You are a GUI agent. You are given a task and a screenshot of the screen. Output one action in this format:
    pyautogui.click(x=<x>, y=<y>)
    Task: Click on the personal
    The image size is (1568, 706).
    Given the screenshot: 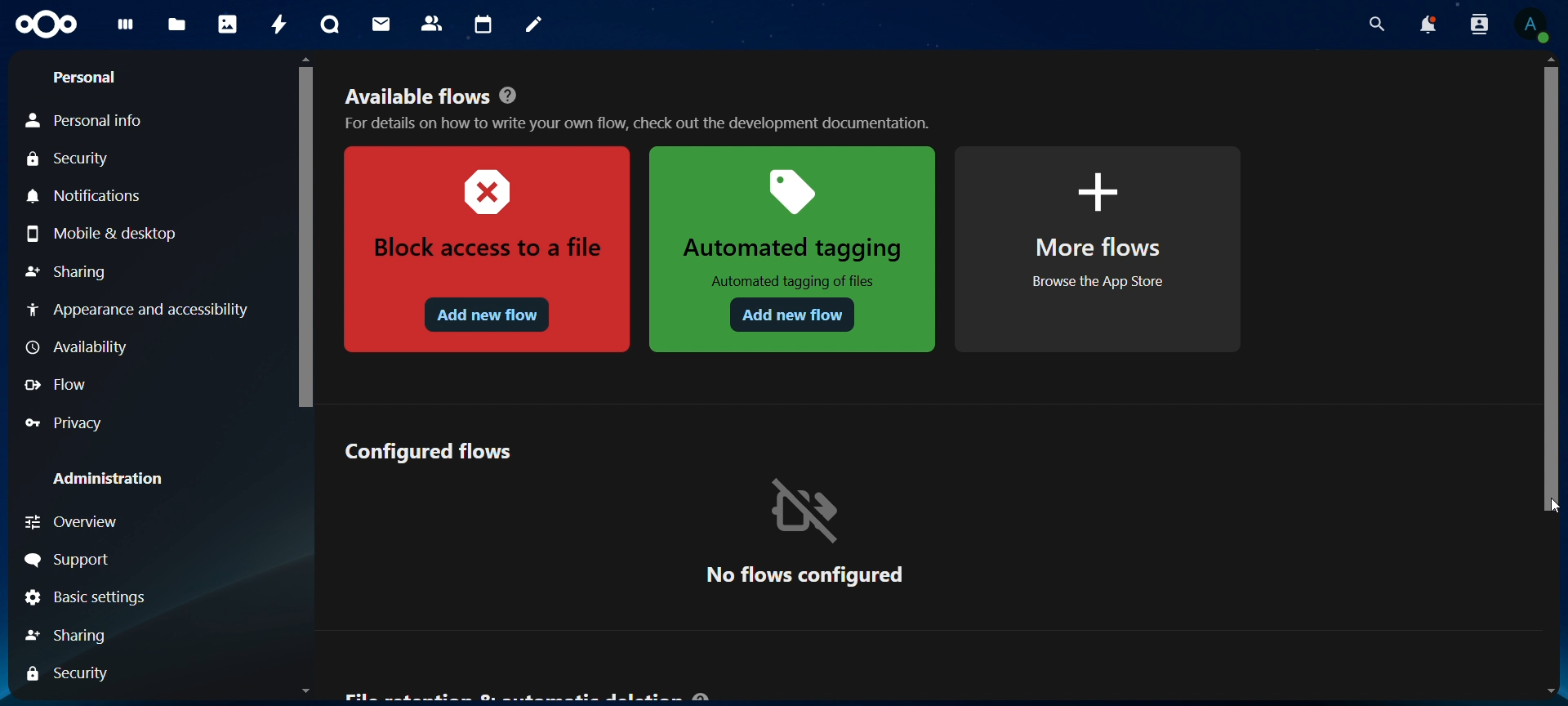 What is the action you would take?
    pyautogui.click(x=83, y=78)
    